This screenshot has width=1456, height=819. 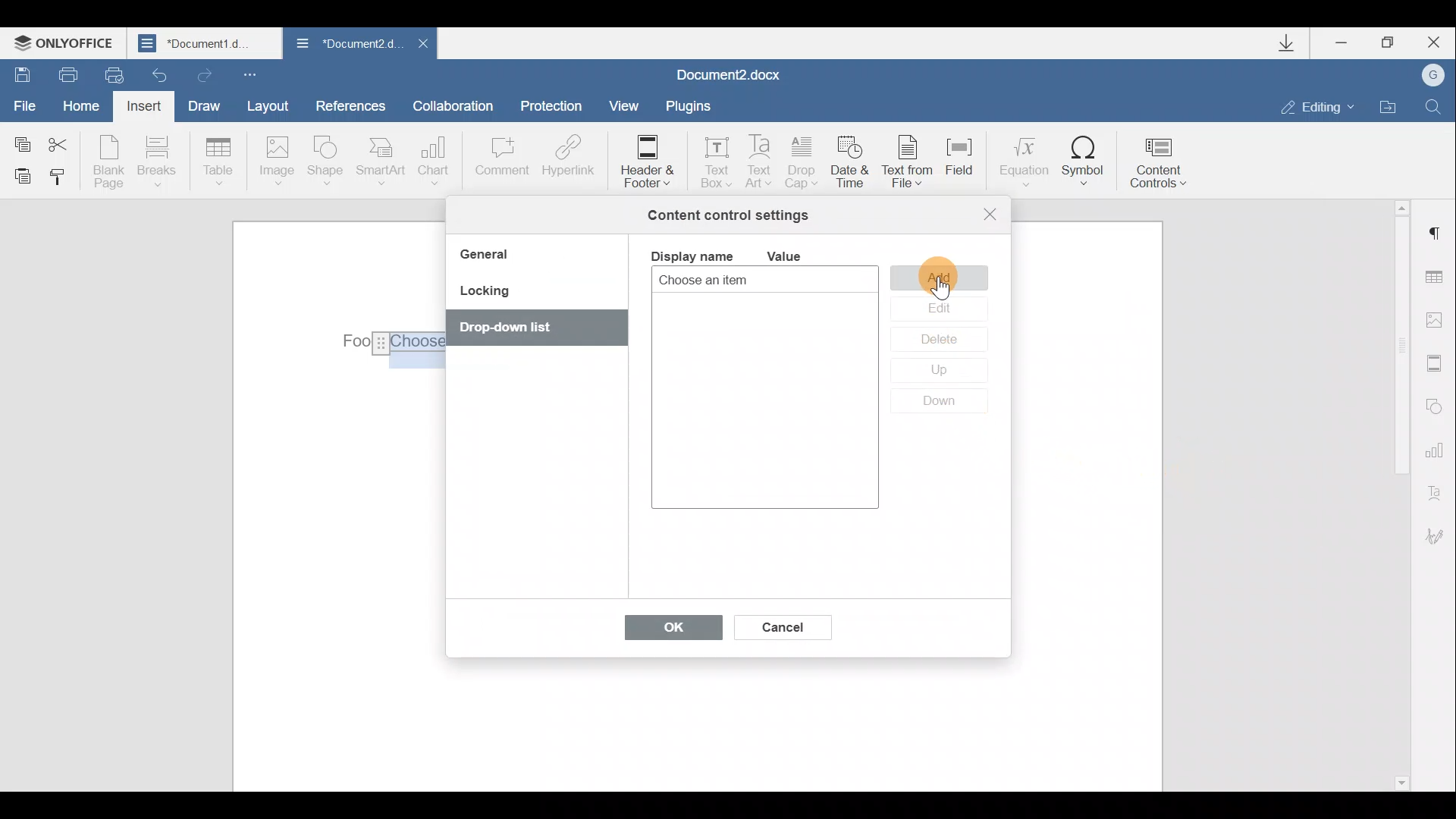 I want to click on Hyperlink, so click(x=565, y=158).